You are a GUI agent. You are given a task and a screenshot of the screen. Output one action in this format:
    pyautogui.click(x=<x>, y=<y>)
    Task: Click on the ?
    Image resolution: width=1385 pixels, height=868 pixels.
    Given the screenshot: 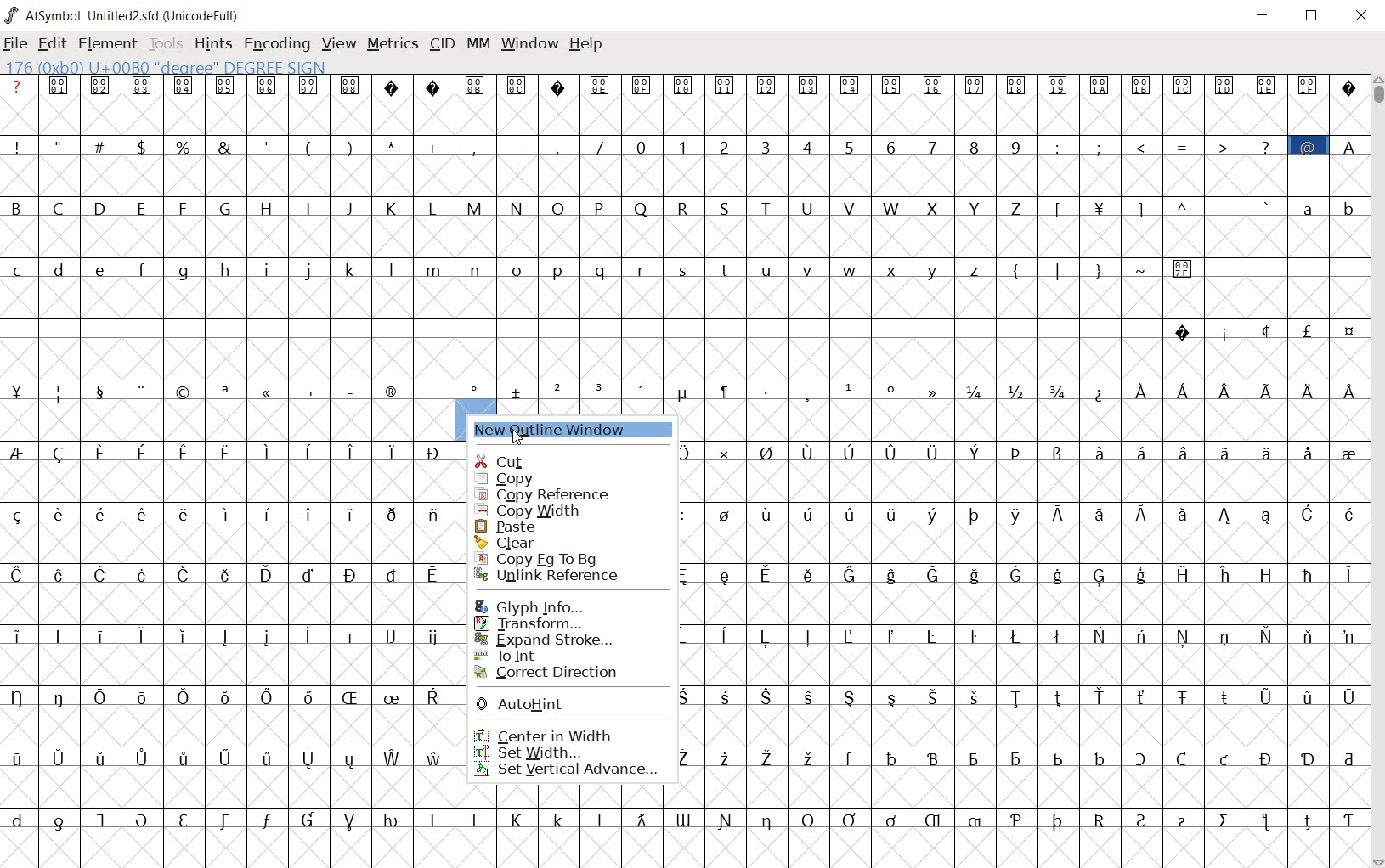 What is the action you would take?
    pyautogui.click(x=17, y=86)
    